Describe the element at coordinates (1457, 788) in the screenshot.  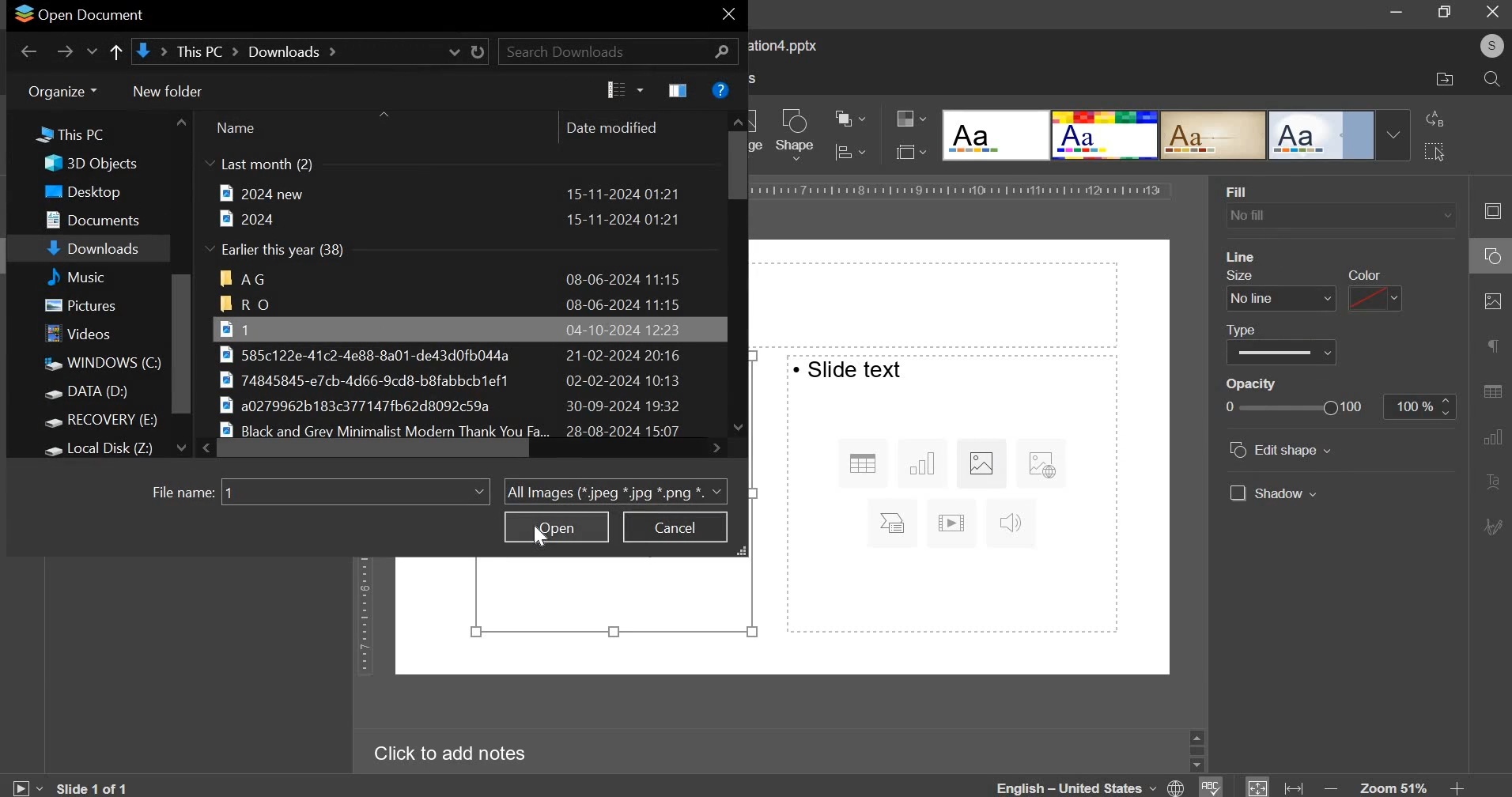
I see `increase zoom` at that location.